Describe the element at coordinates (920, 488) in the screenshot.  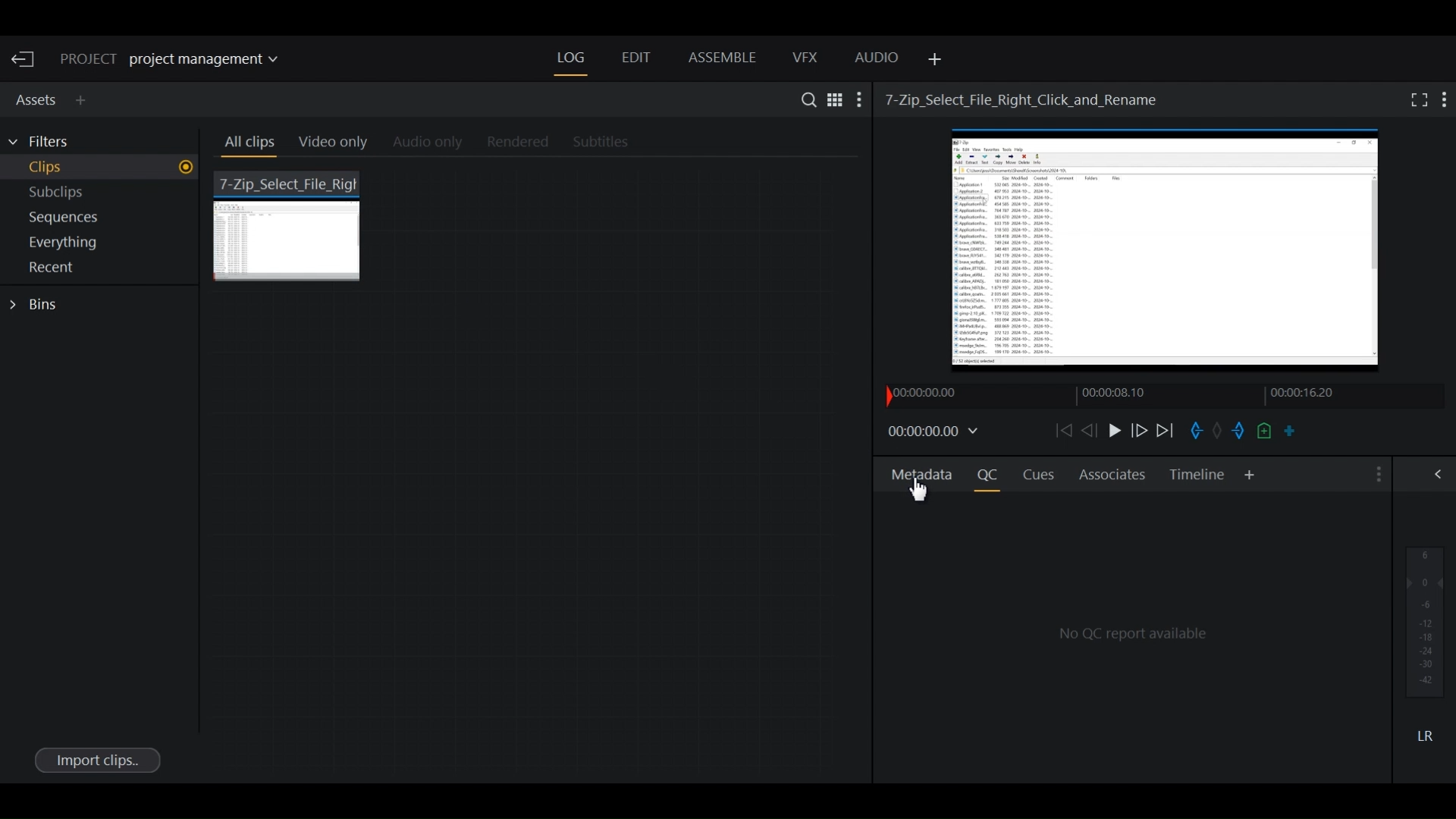
I see `Cursor` at that location.